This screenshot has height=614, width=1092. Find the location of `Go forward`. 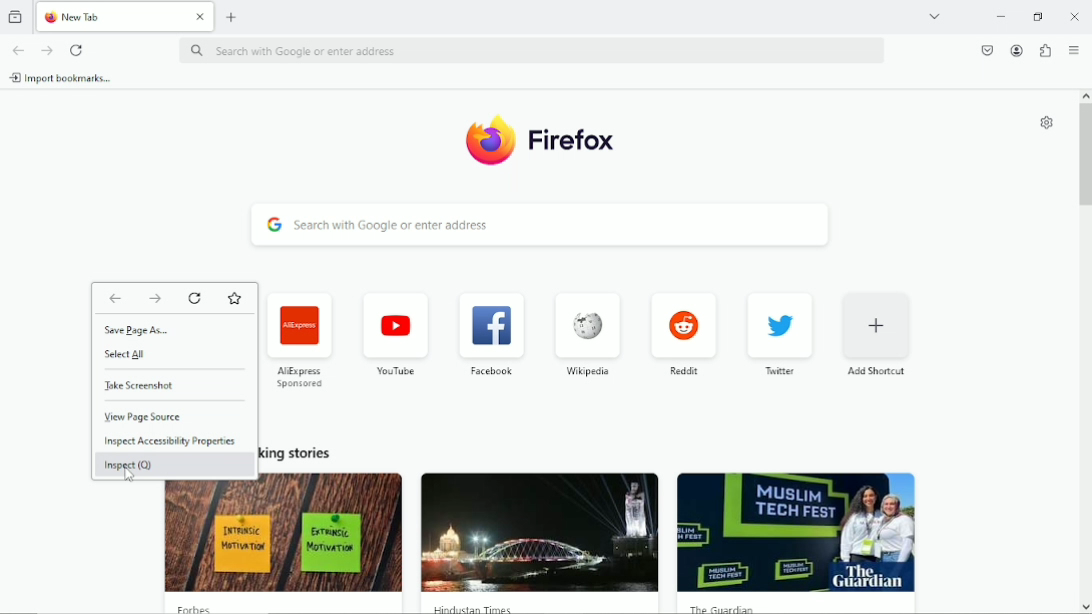

Go forward is located at coordinates (48, 48).